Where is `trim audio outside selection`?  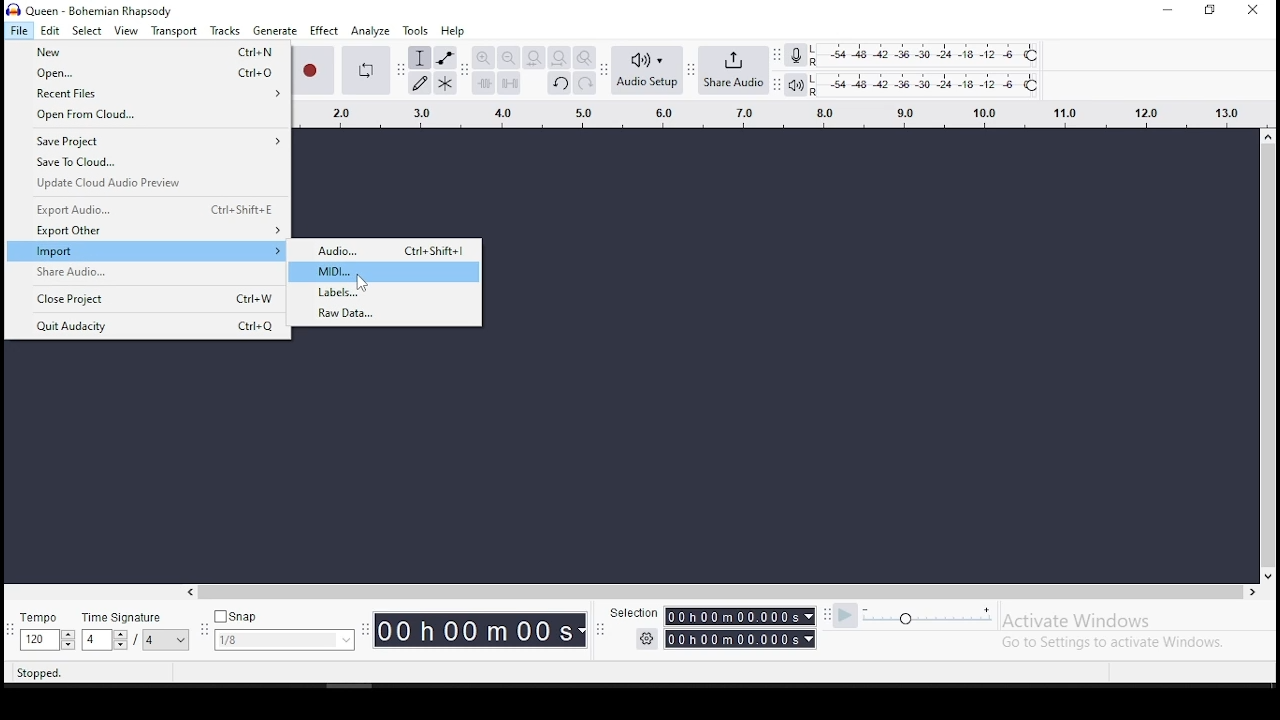 trim audio outside selection is located at coordinates (483, 84).